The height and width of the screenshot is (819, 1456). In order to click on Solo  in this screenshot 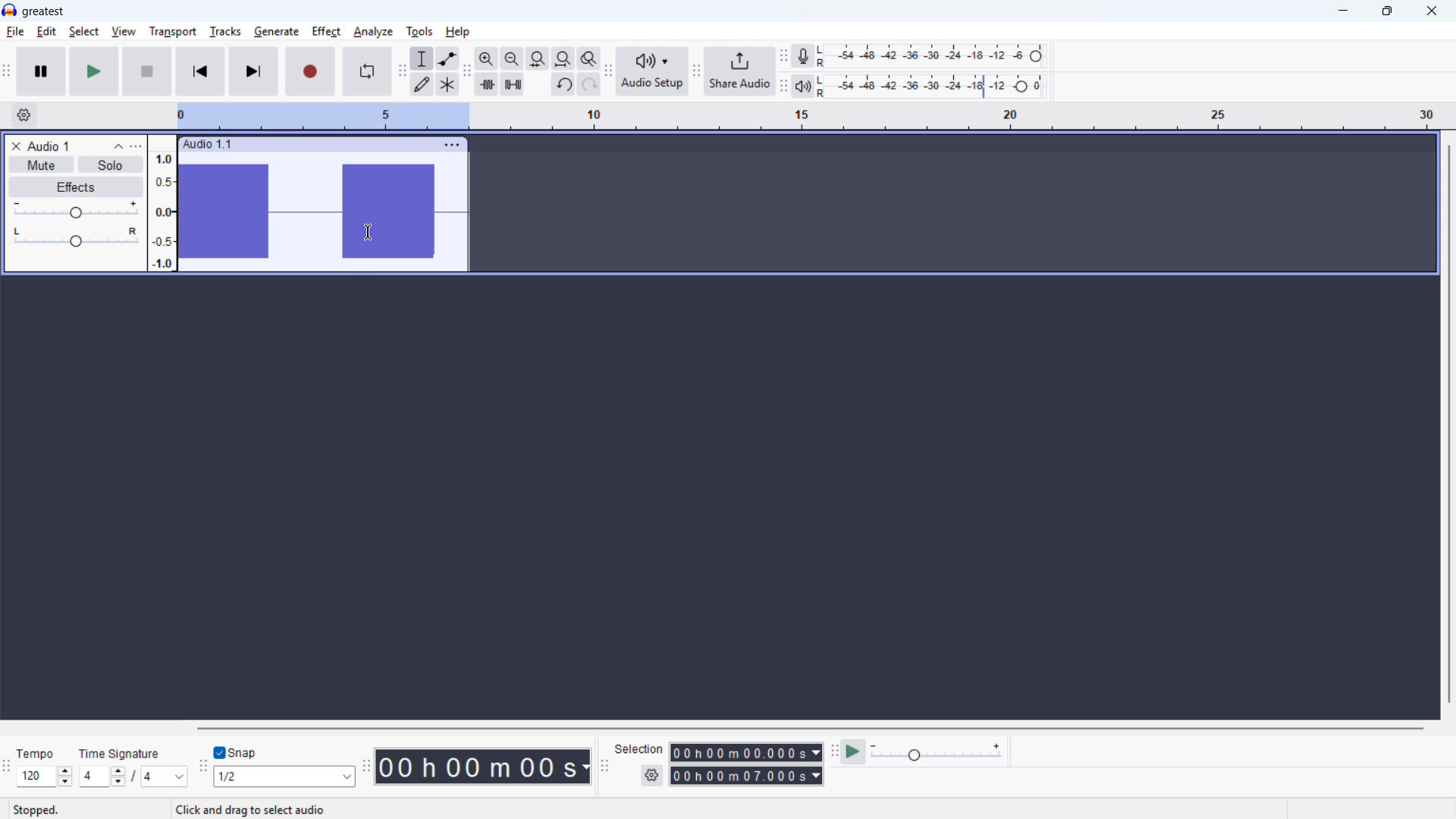, I will do `click(111, 165)`.